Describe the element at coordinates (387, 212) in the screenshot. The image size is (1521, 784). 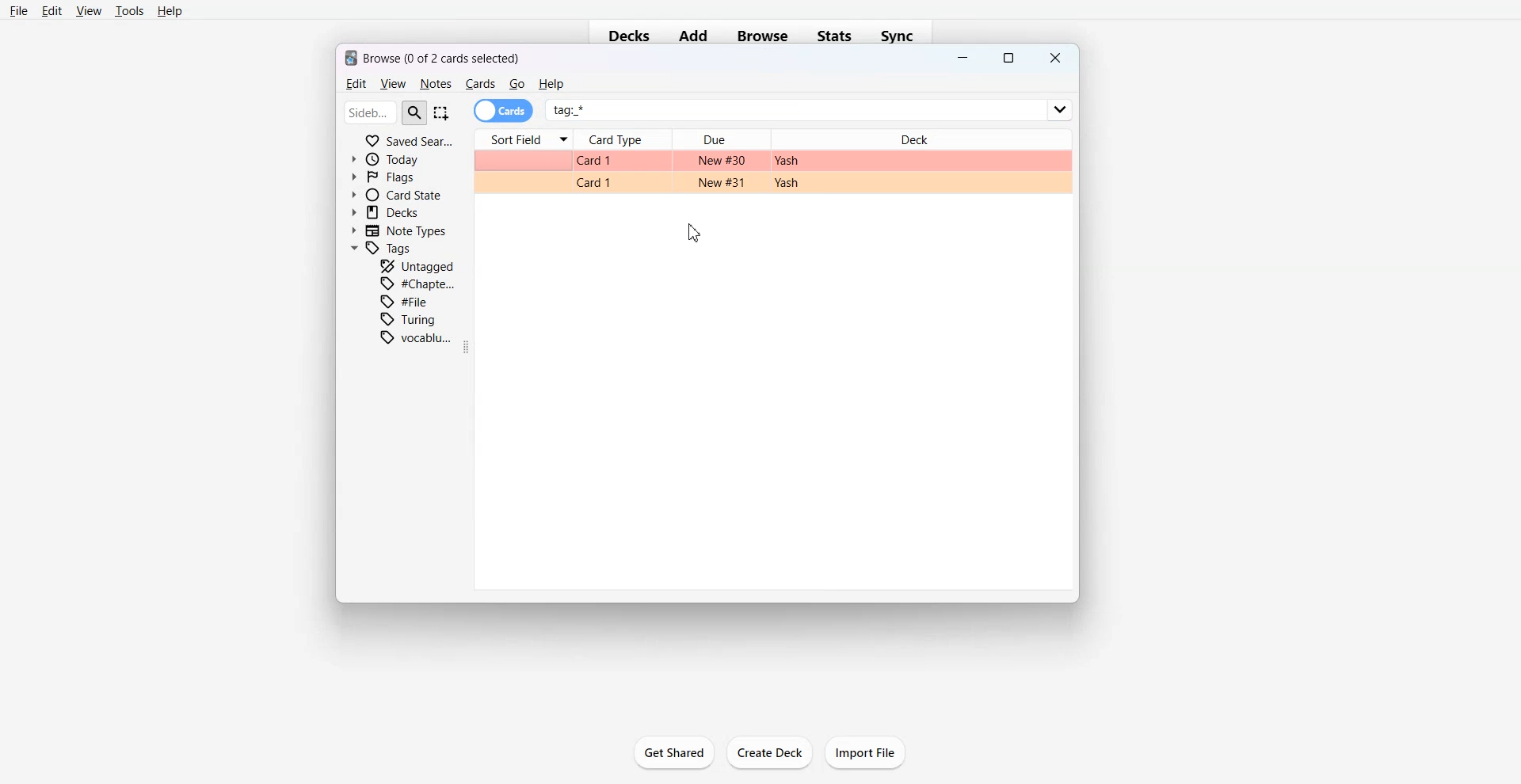
I see `Decks` at that location.